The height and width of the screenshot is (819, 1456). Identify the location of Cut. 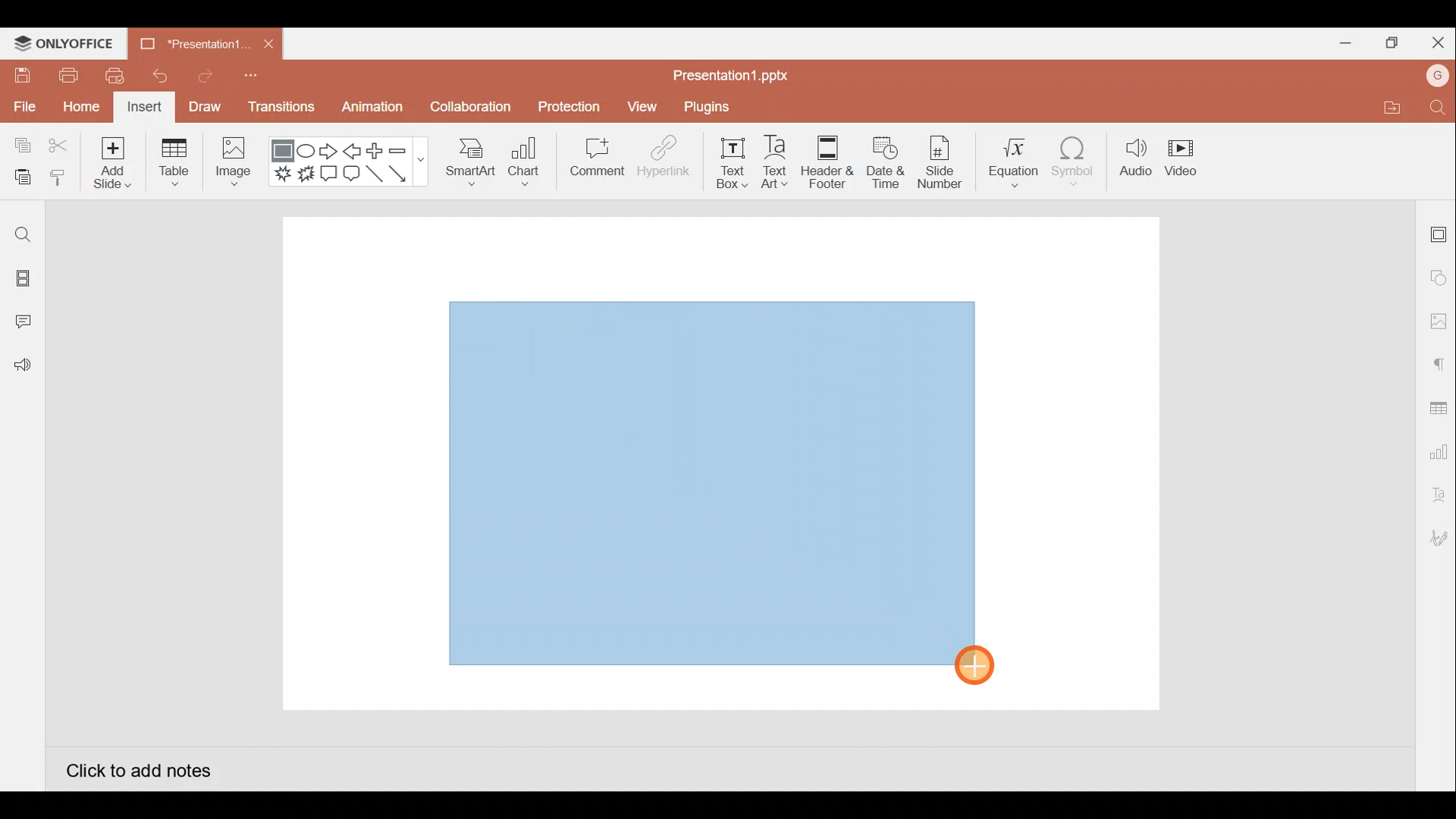
(59, 146).